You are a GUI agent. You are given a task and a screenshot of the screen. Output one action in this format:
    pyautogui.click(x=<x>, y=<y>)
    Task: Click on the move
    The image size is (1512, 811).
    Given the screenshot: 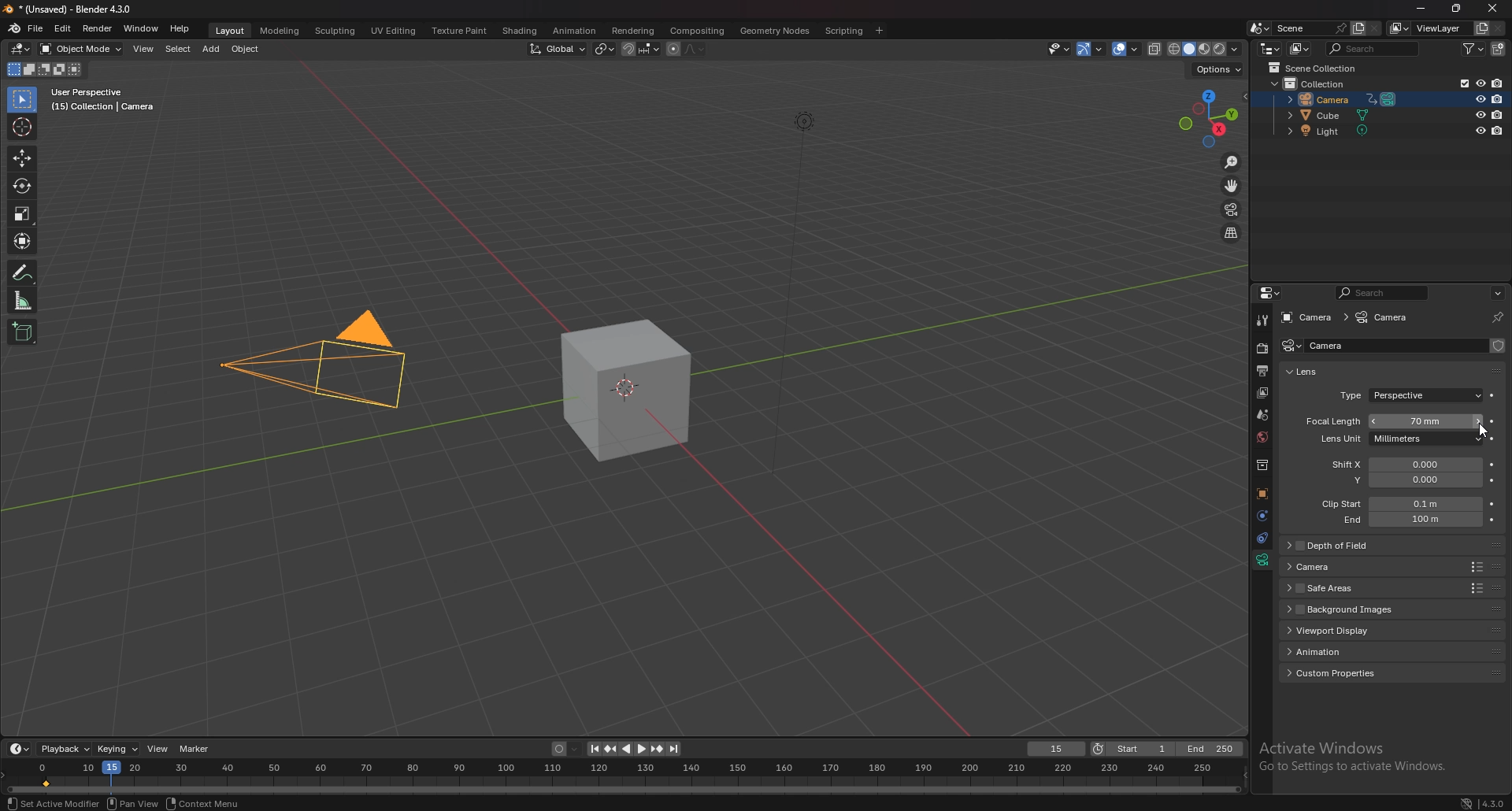 What is the action you would take?
    pyautogui.click(x=23, y=157)
    